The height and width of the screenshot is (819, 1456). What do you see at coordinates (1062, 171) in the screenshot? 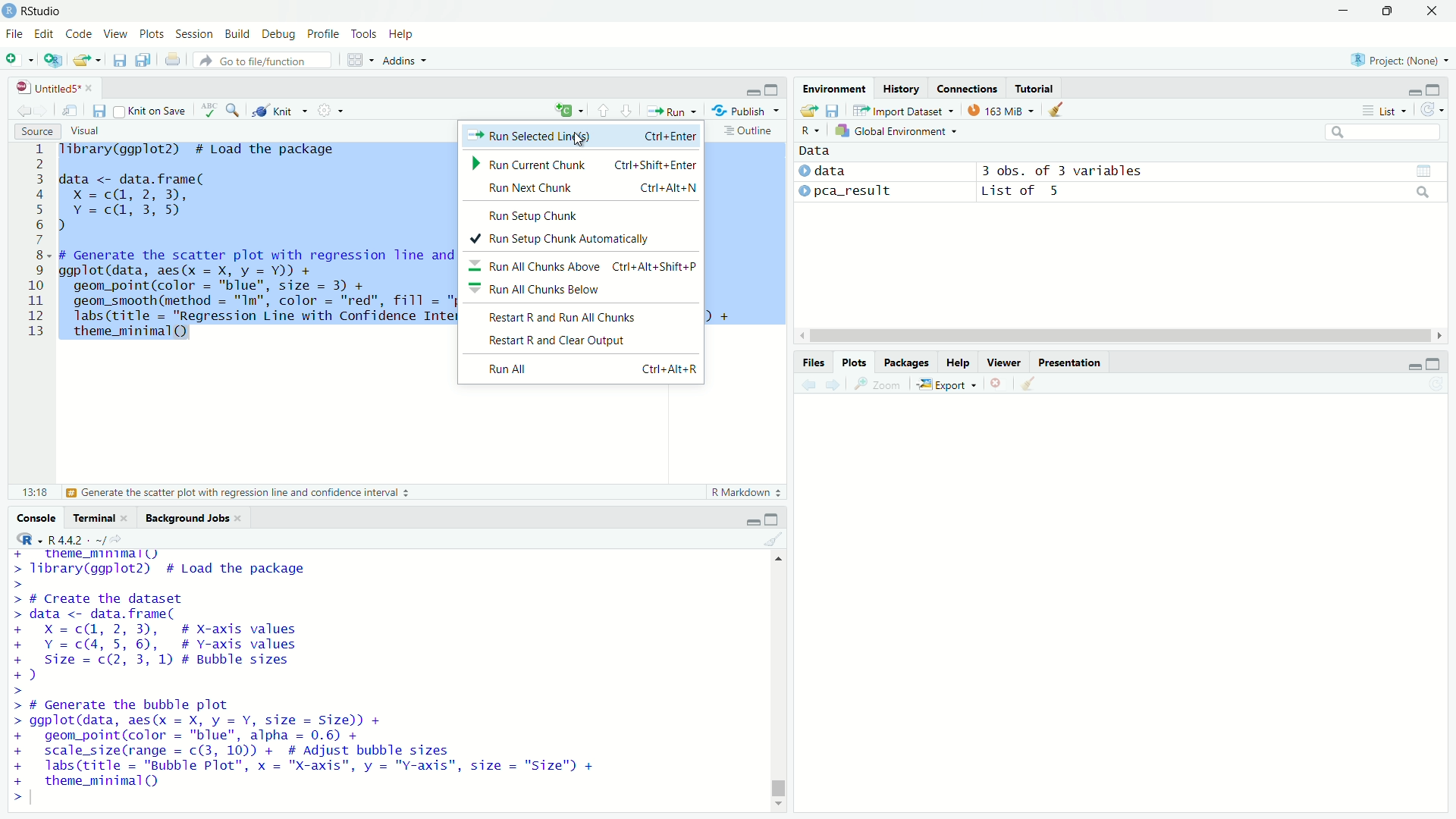
I see `3 obs. of 3 variables` at bounding box center [1062, 171].